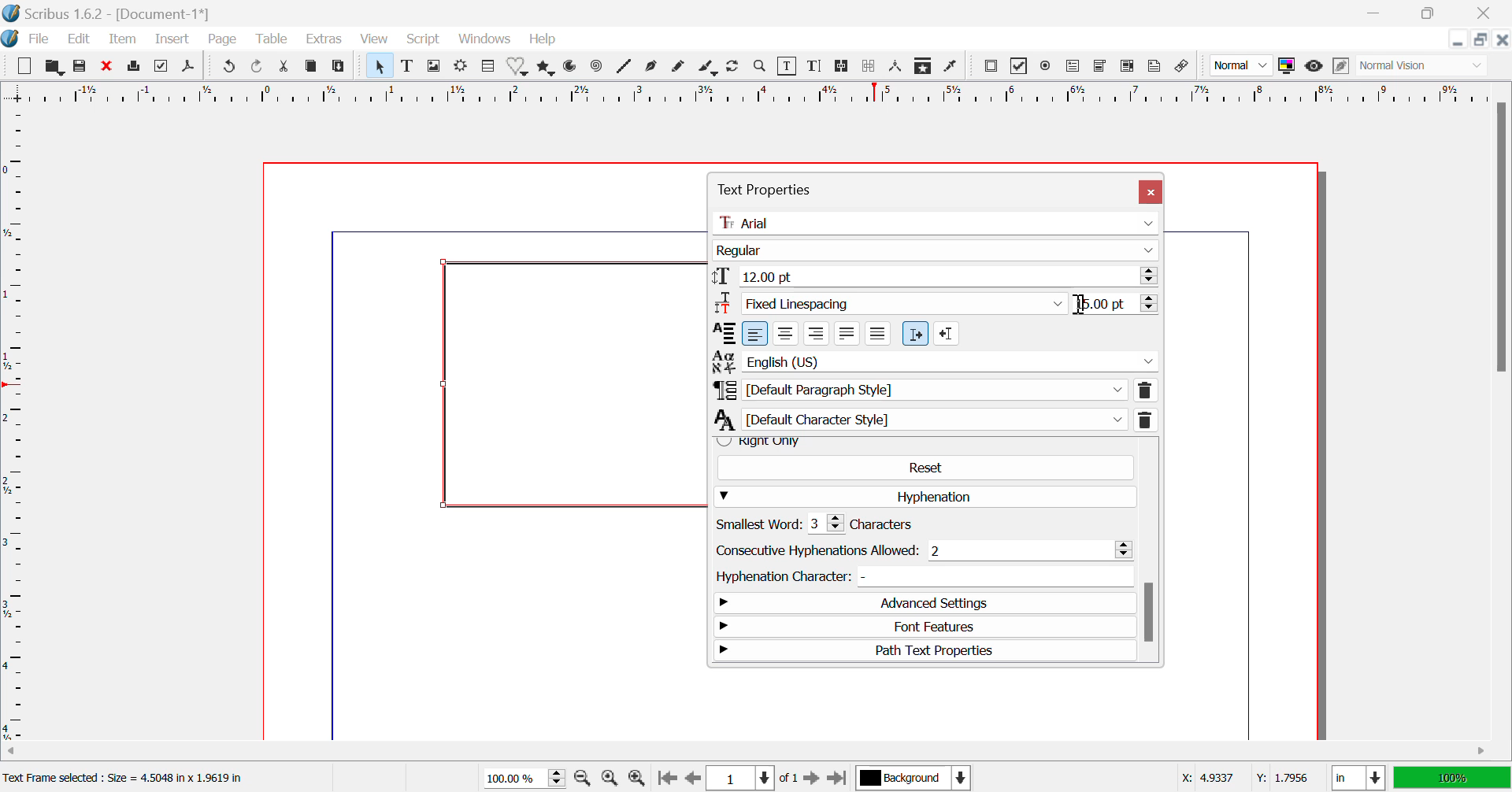  I want to click on Close, so click(1151, 192).